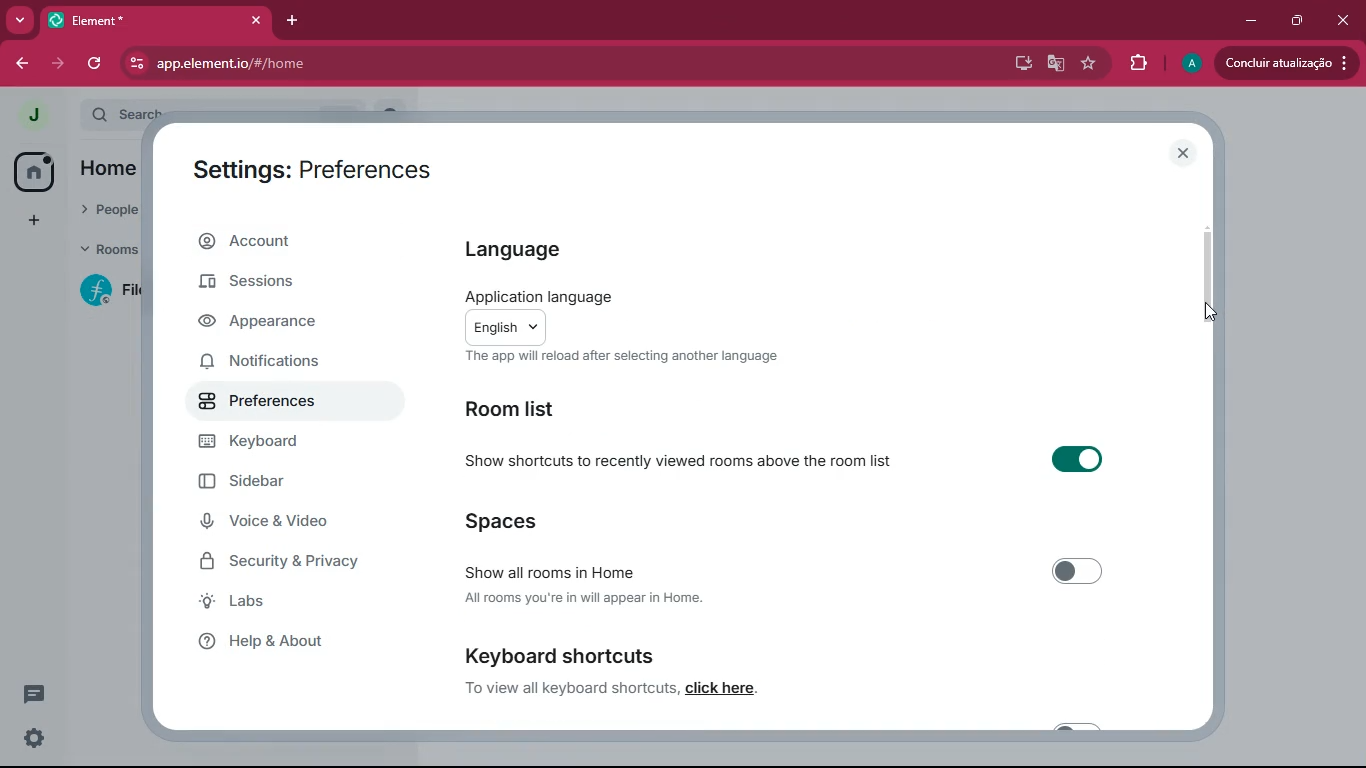  I want to click on profile, so click(1191, 64).